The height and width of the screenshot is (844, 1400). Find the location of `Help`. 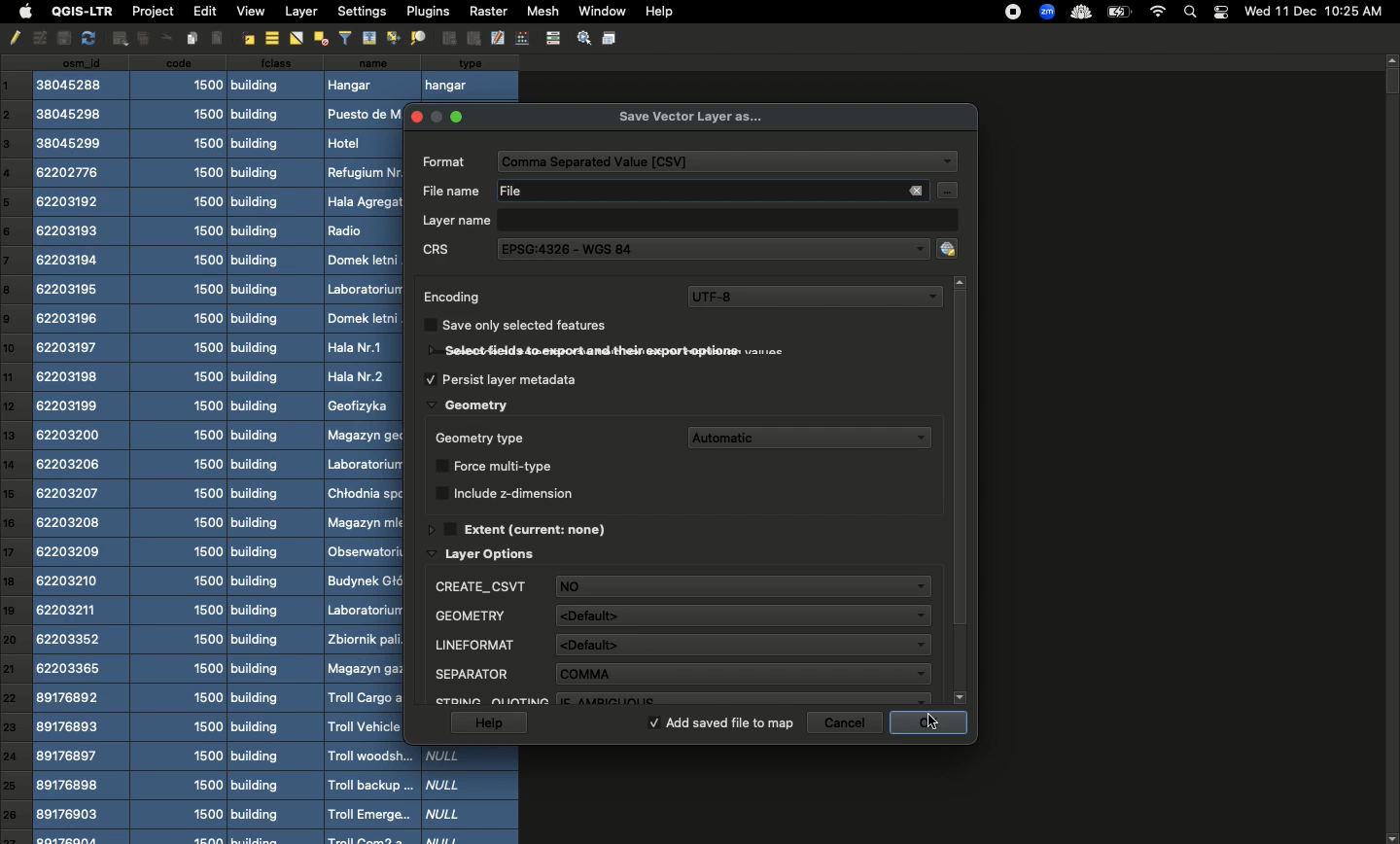

Help is located at coordinates (658, 13).